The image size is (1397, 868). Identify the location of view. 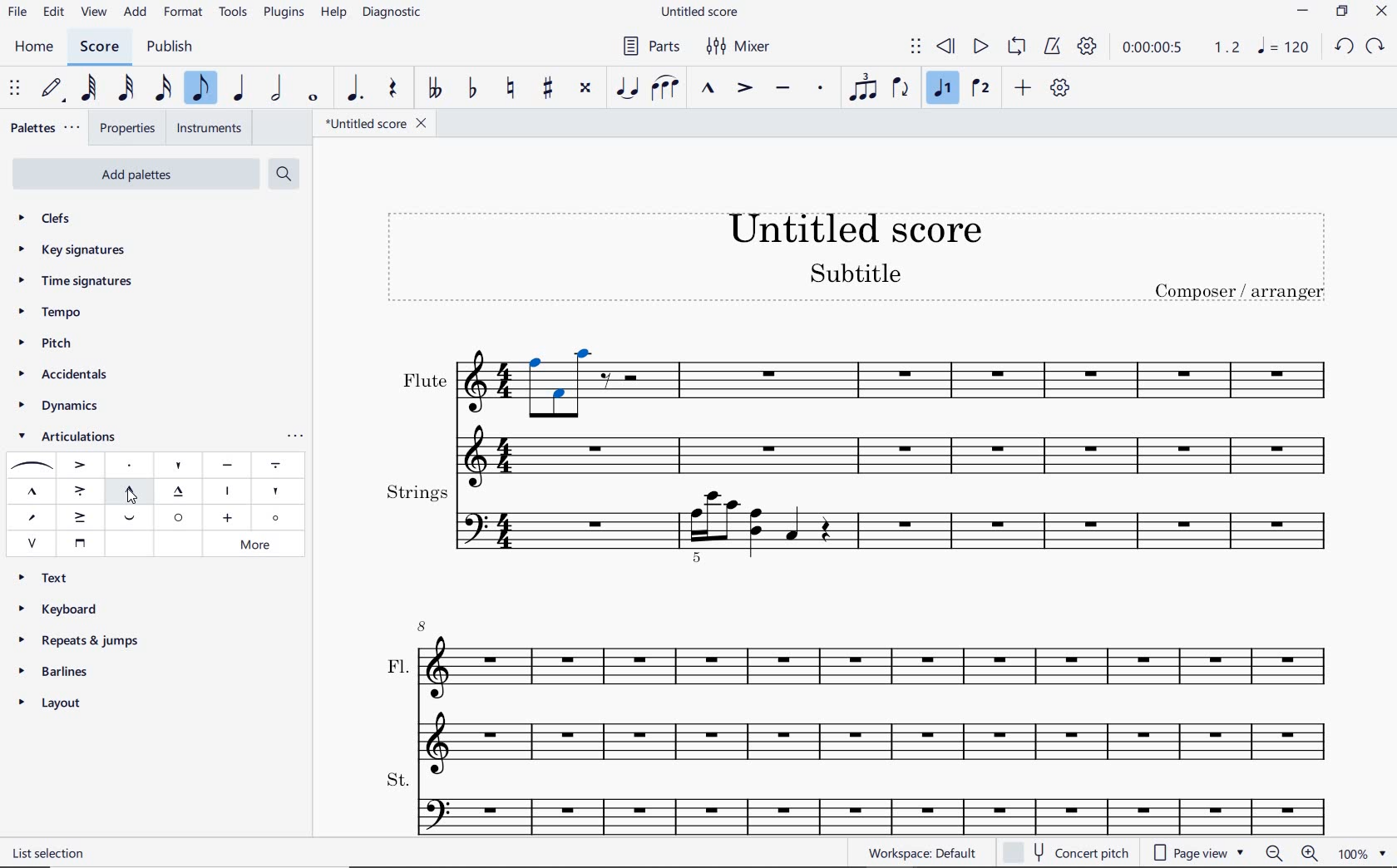
(91, 13).